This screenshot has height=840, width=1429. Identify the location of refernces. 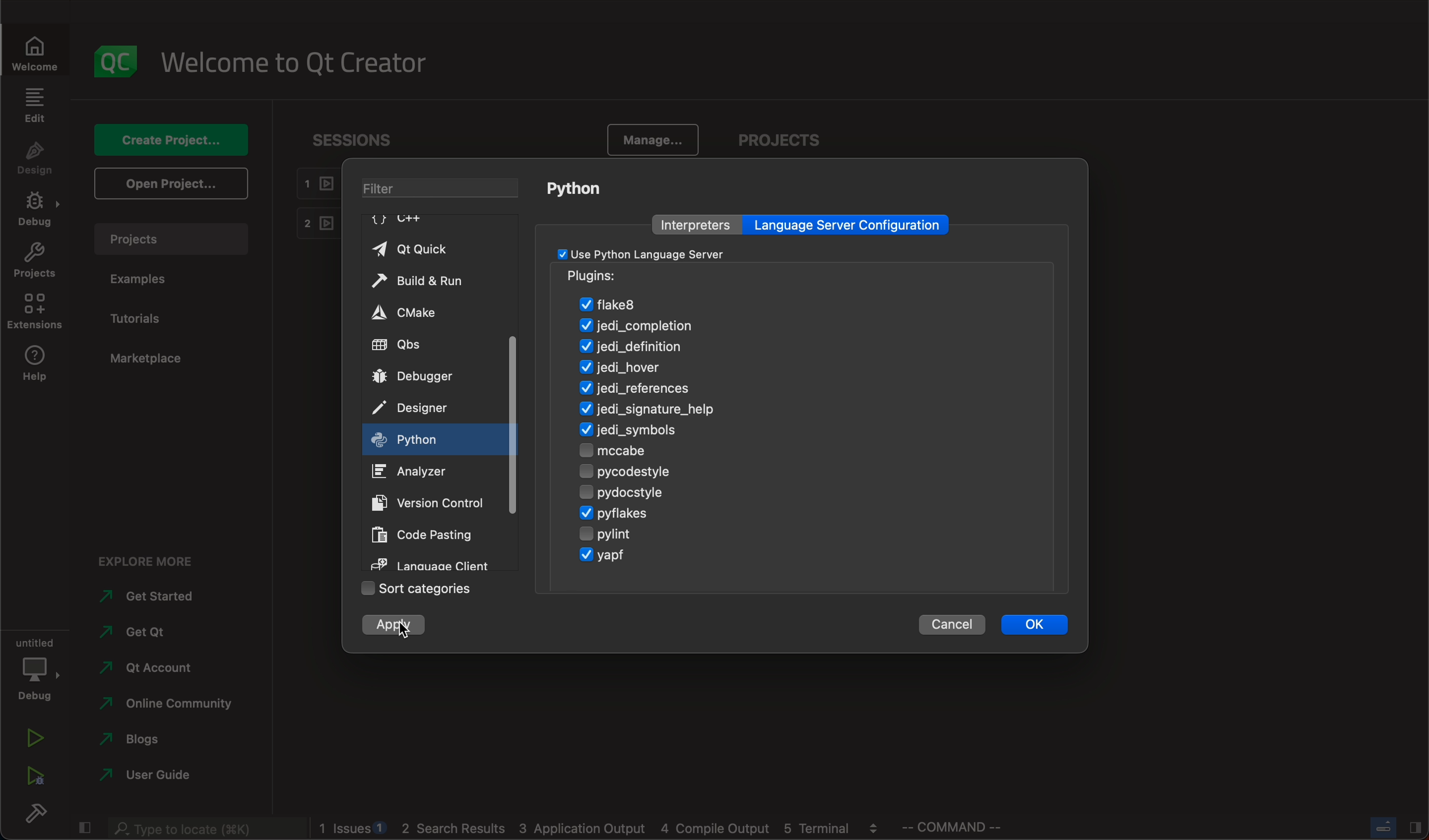
(637, 388).